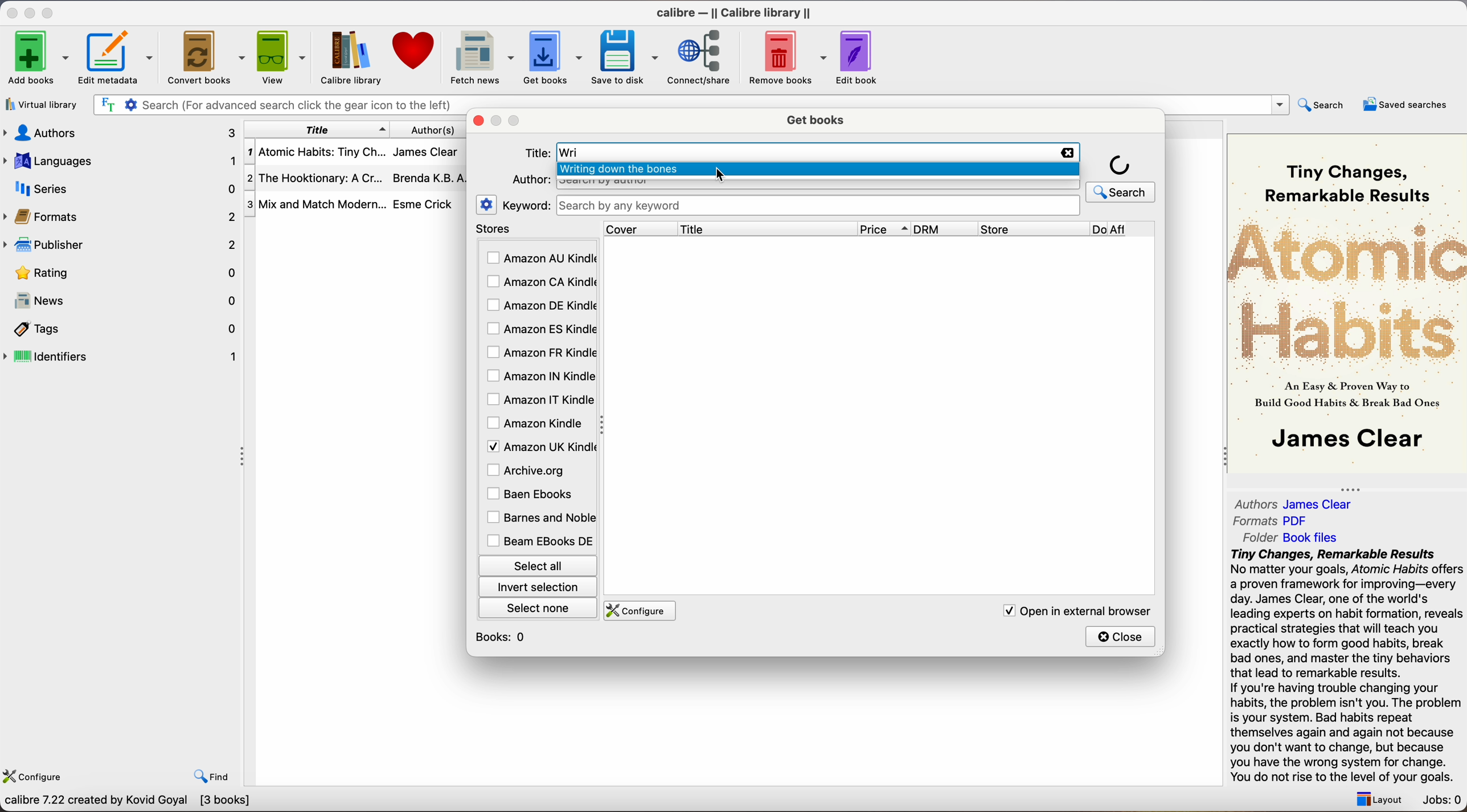  Describe the element at coordinates (539, 305) in the screenshot. I see `amazon DE Kindle` at that location.